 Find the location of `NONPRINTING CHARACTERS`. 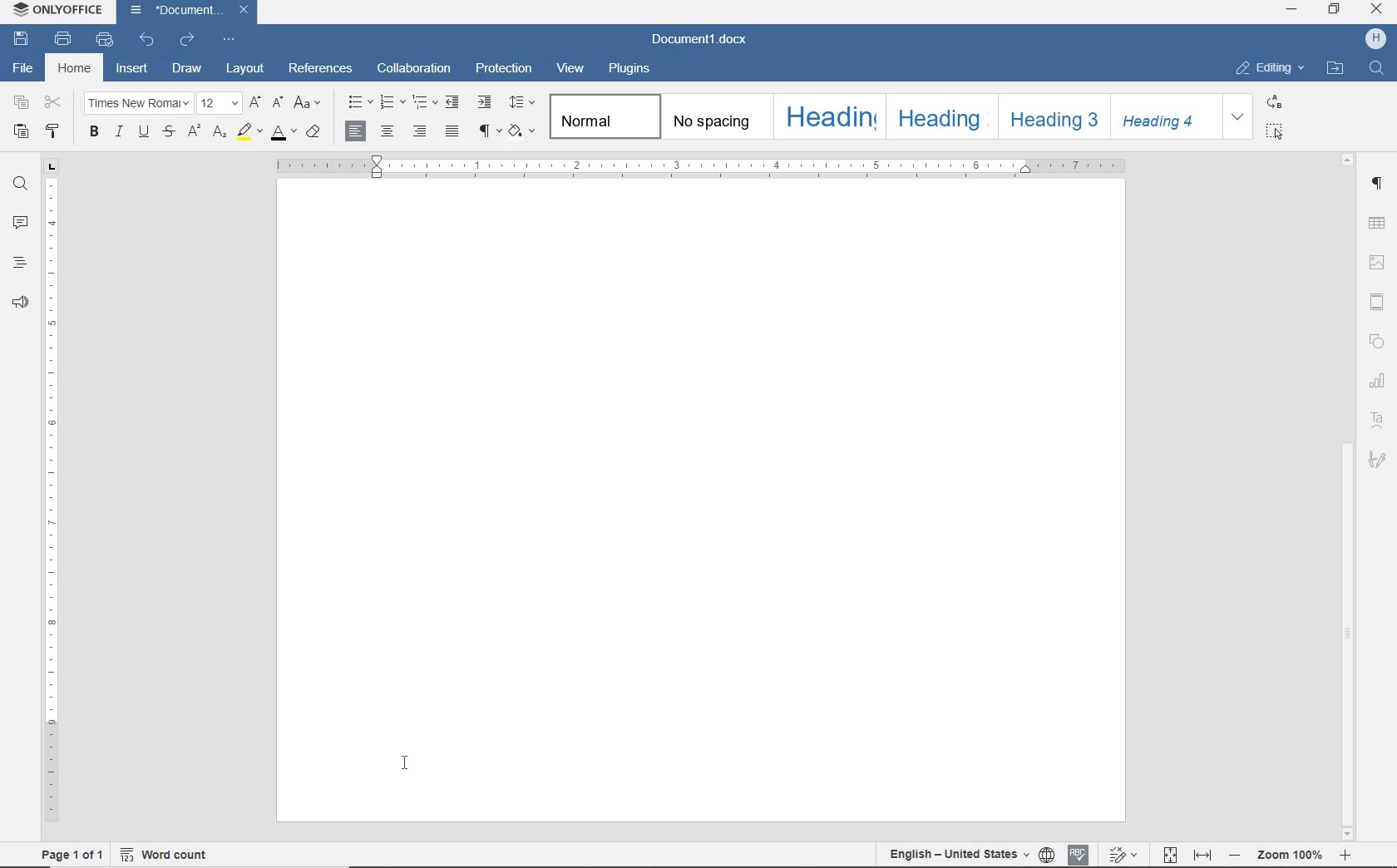

NONPRINTING CHARACTERS is located at coordinates (490, 131).